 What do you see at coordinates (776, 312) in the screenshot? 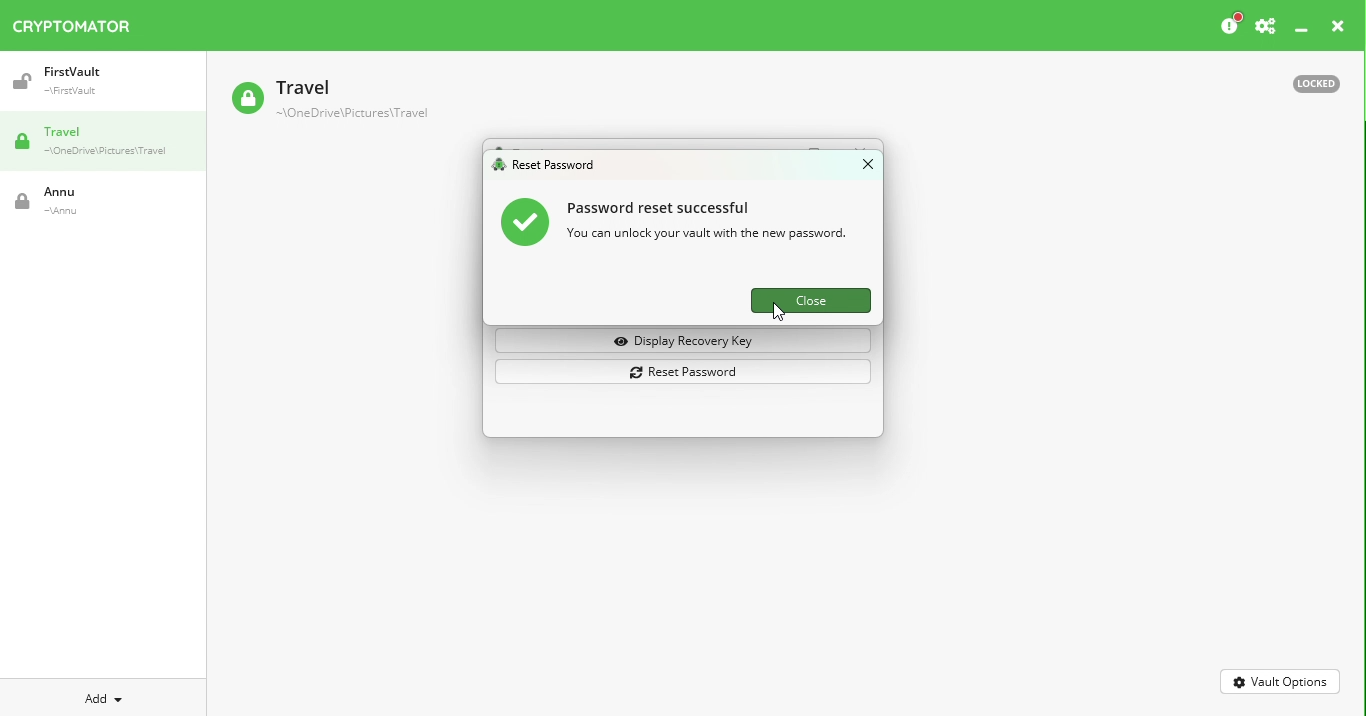
I see `Cursor` at bounding box center [776, 312].